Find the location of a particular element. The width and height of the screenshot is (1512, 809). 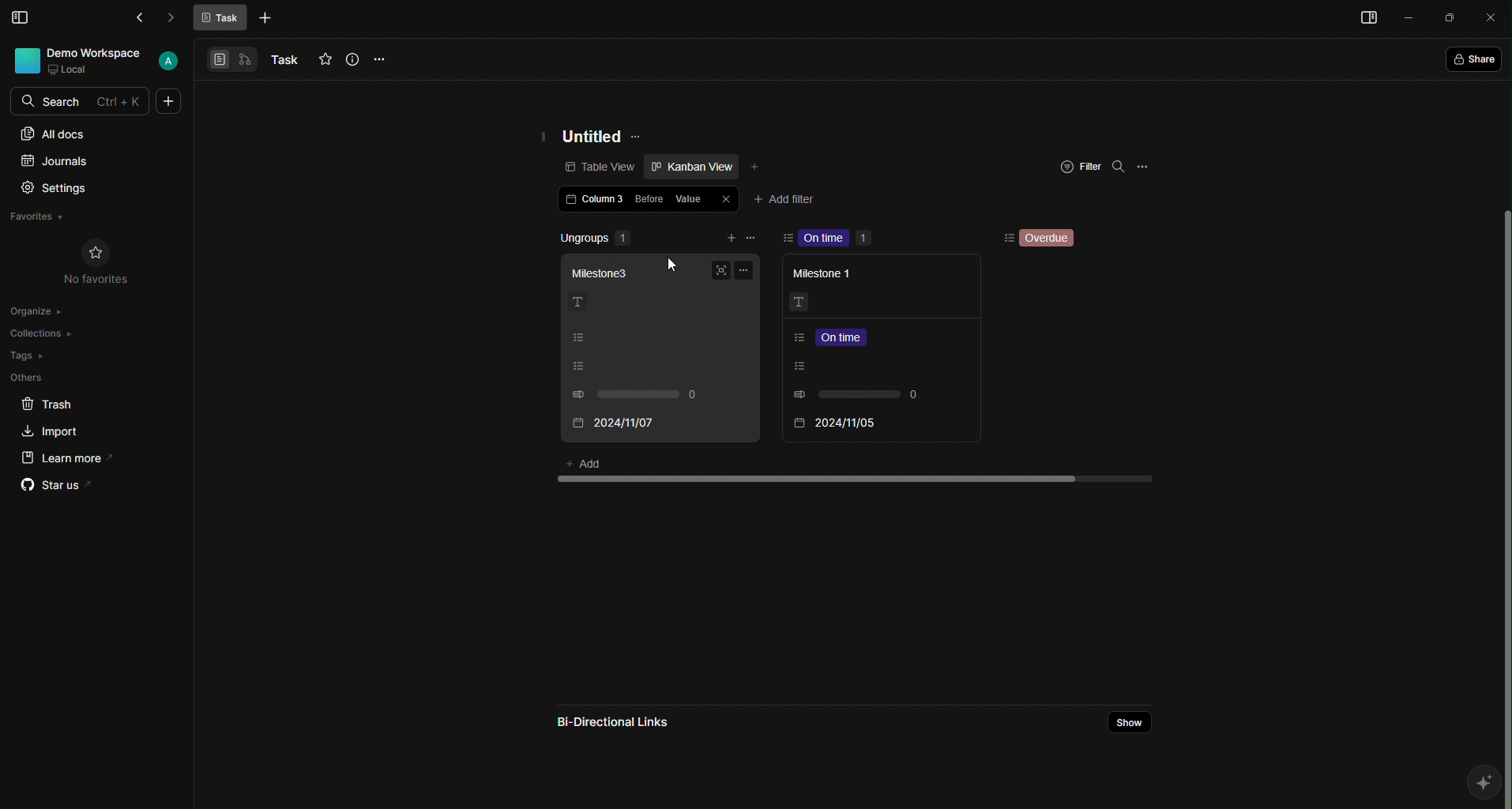

Kanban view is located at coordinates (690, 166).